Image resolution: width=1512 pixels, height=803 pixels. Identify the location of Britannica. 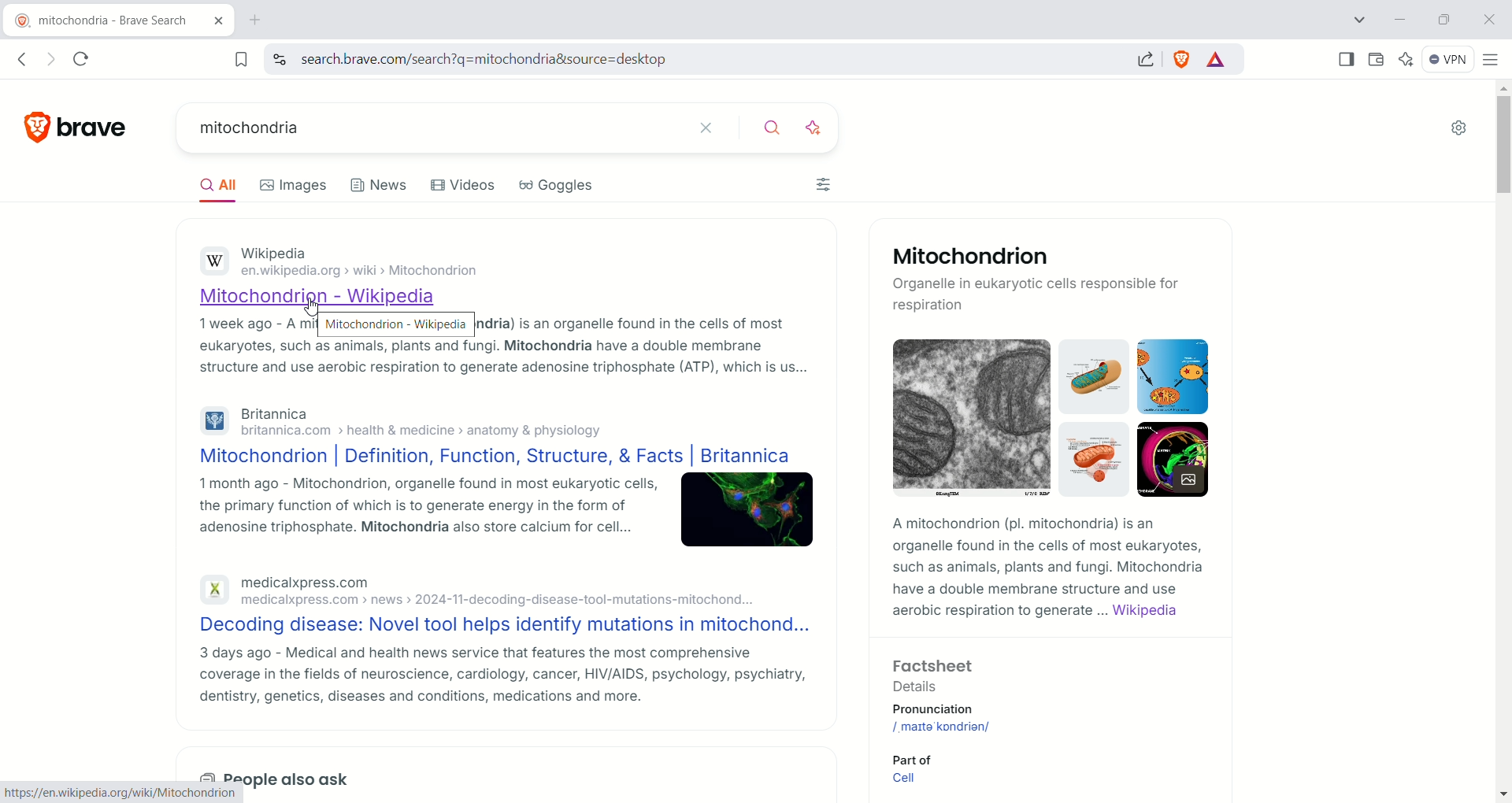
(281, 411).